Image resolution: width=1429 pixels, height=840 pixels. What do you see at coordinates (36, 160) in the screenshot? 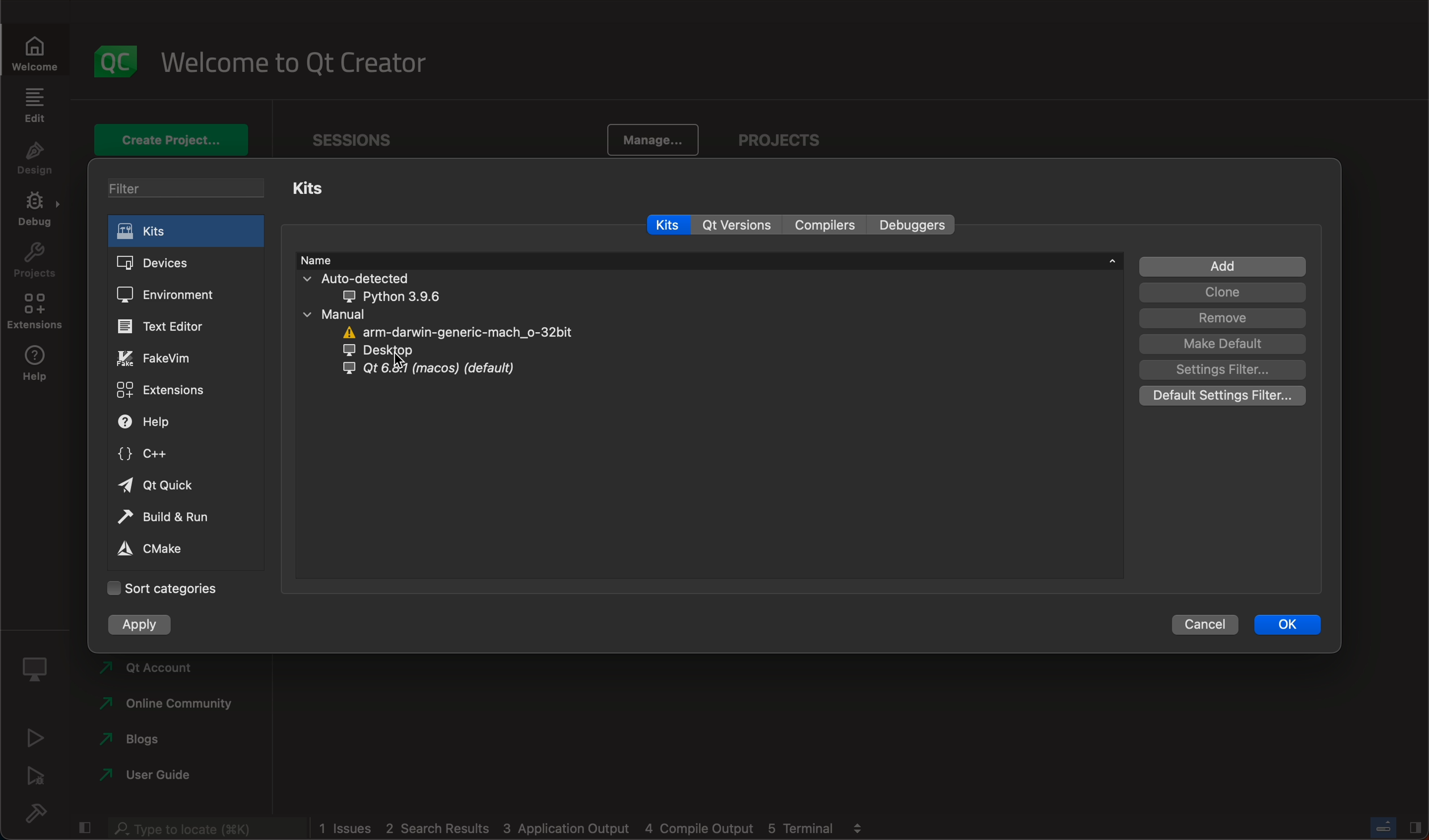
I see `design` at bounding box center [36, 160].